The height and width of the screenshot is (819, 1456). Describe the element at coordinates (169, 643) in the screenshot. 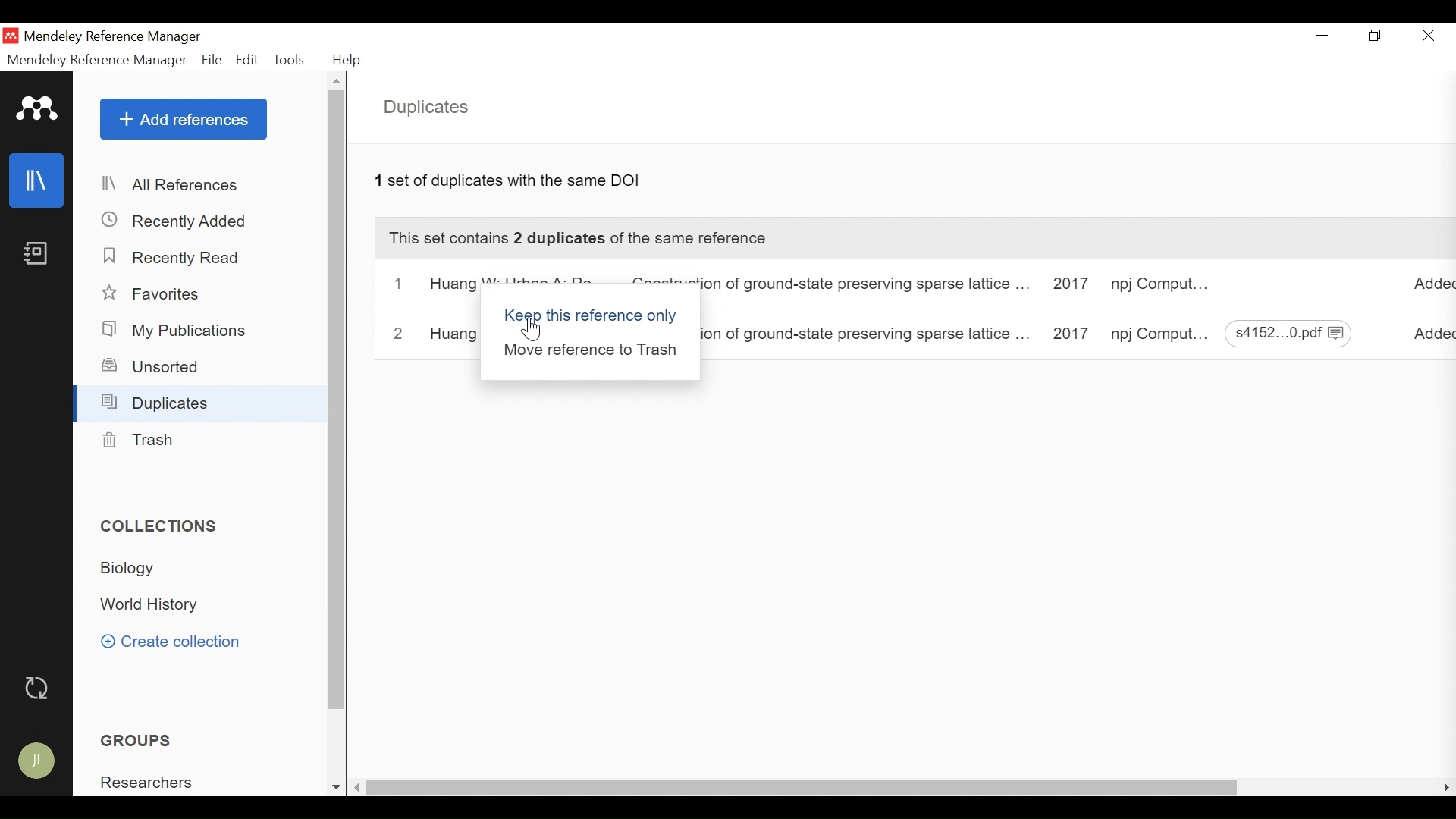

I see `Create Collection` at that location.